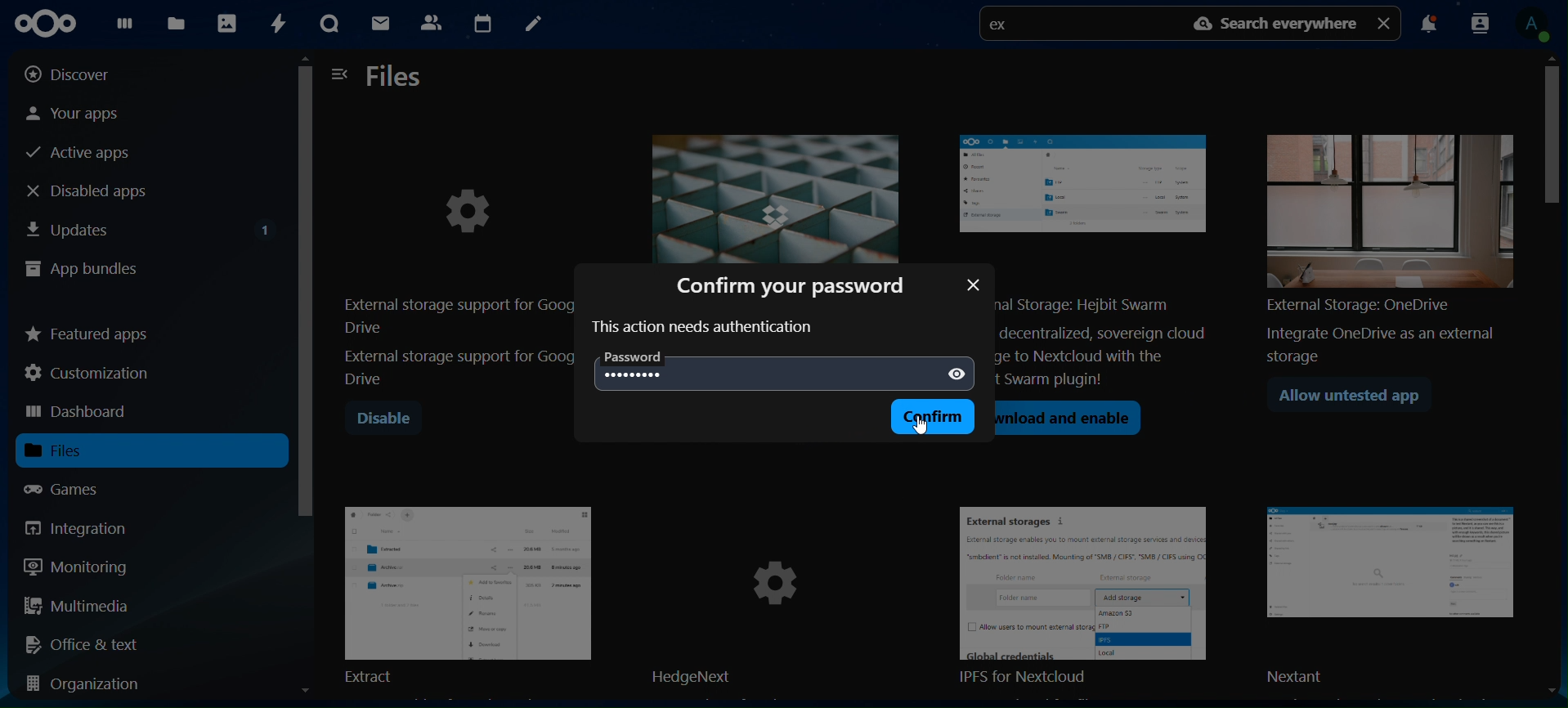  Describe the element at coordinates (75, 450) in the screenshot. I see `files` at that location.